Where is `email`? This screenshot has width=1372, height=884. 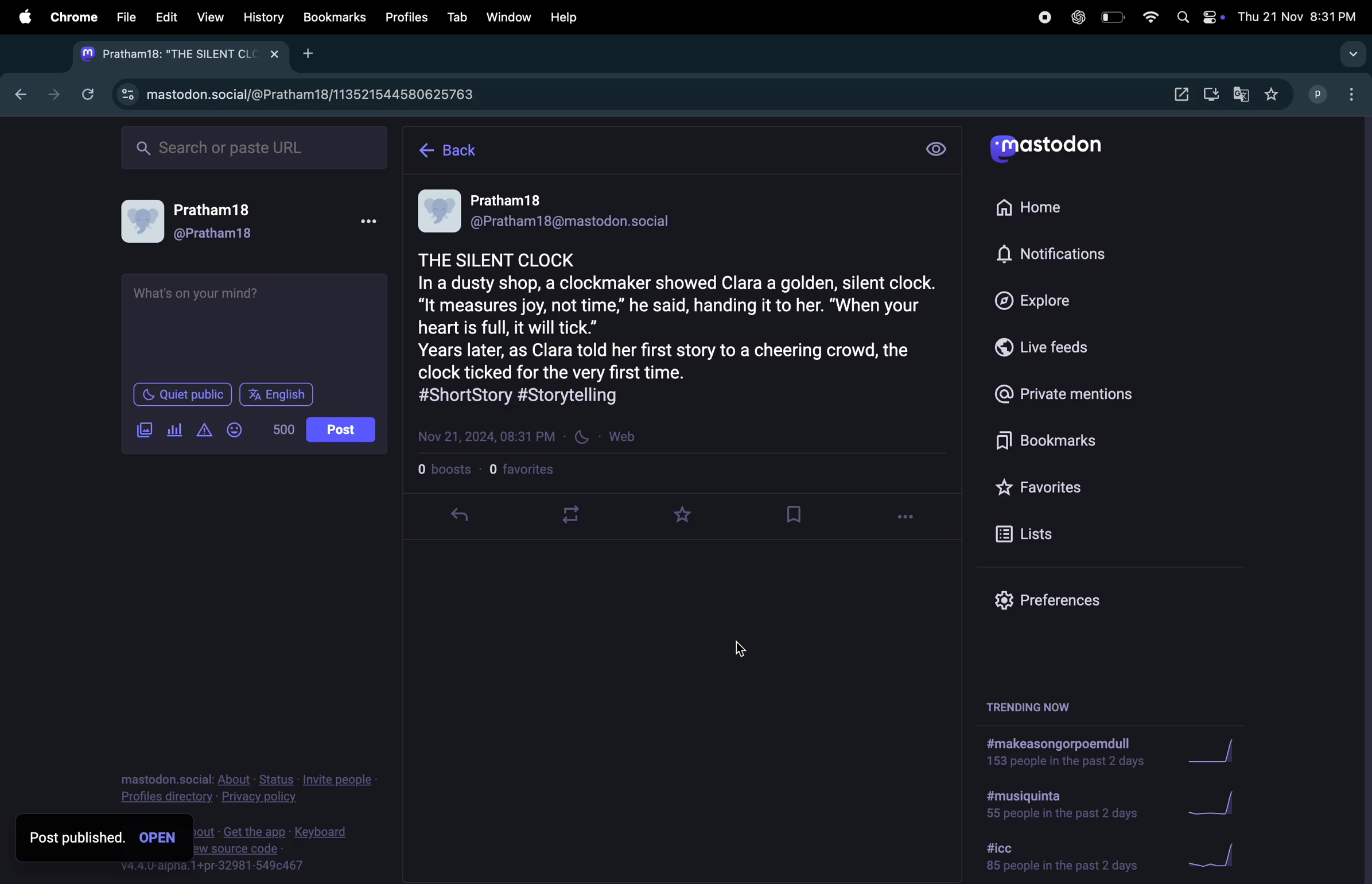
email is located at coordinates (585, 220).